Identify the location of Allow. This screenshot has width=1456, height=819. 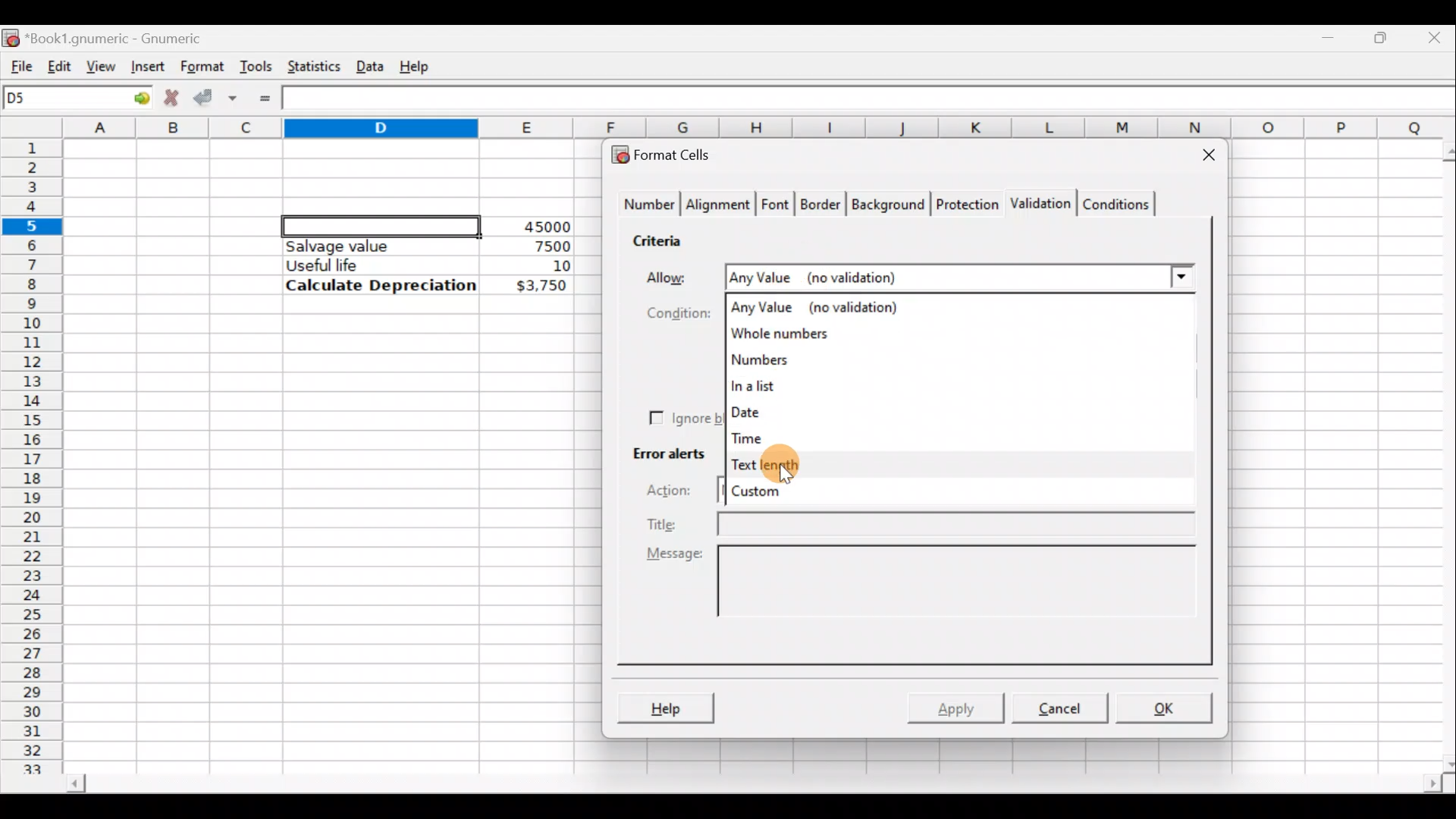
(672, 275).